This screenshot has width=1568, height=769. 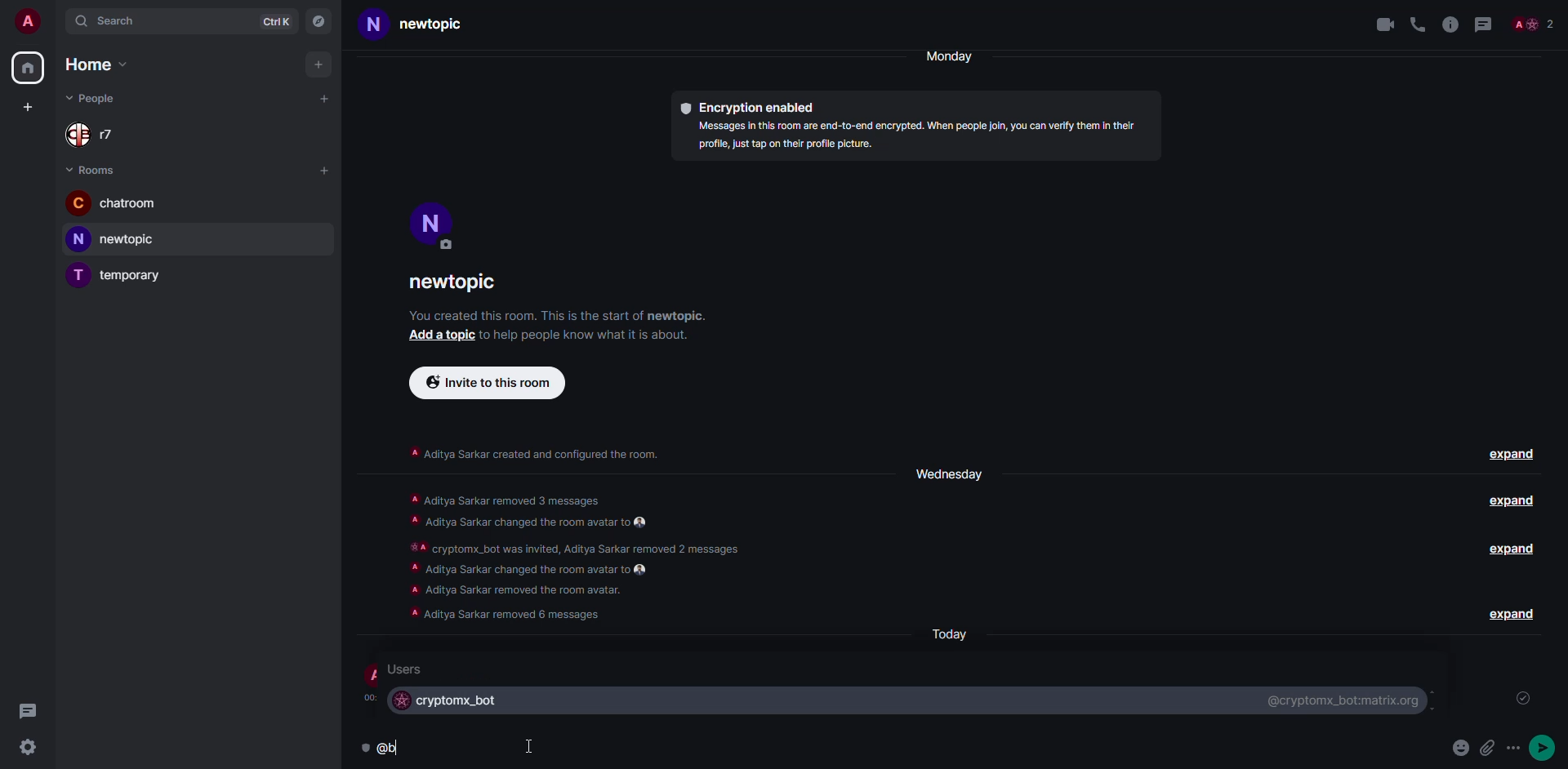 What do you see at coordinates (1517, 748) in the screenshot?
I see `more` at bounding box center [1517, 748].